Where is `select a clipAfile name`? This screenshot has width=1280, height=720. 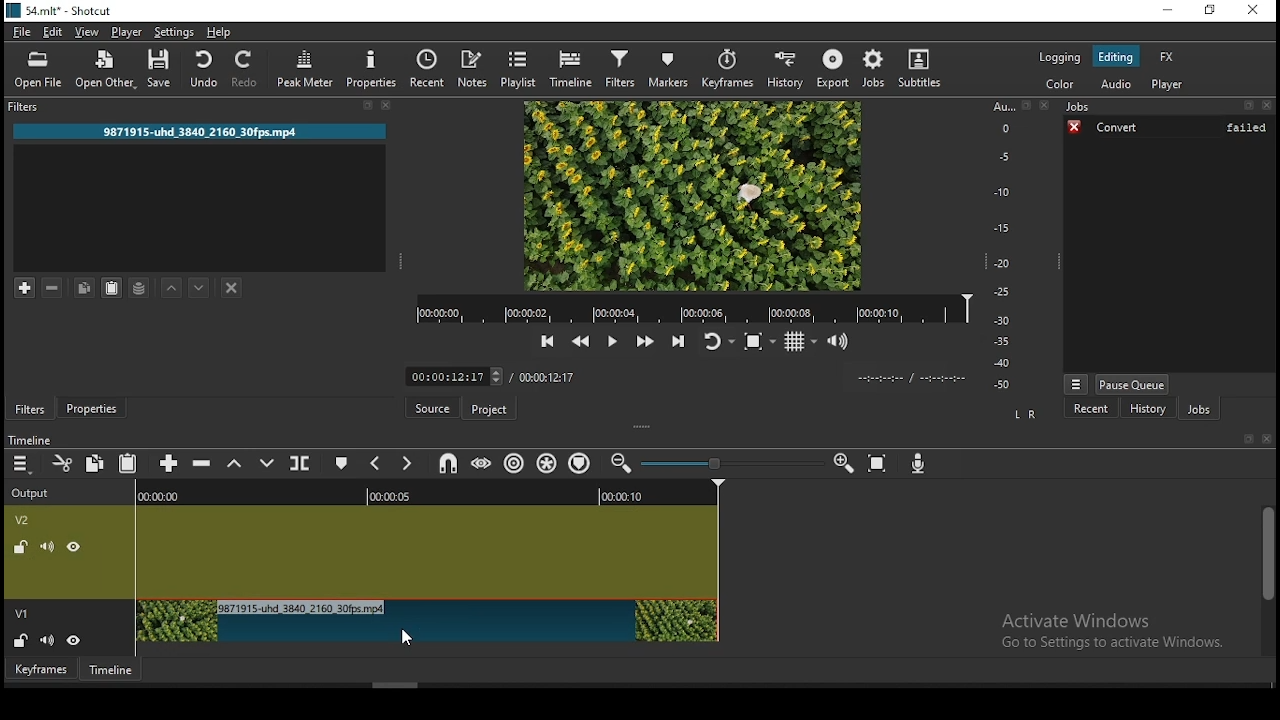
select a clipAfile name is located at coordinates (197, 131).